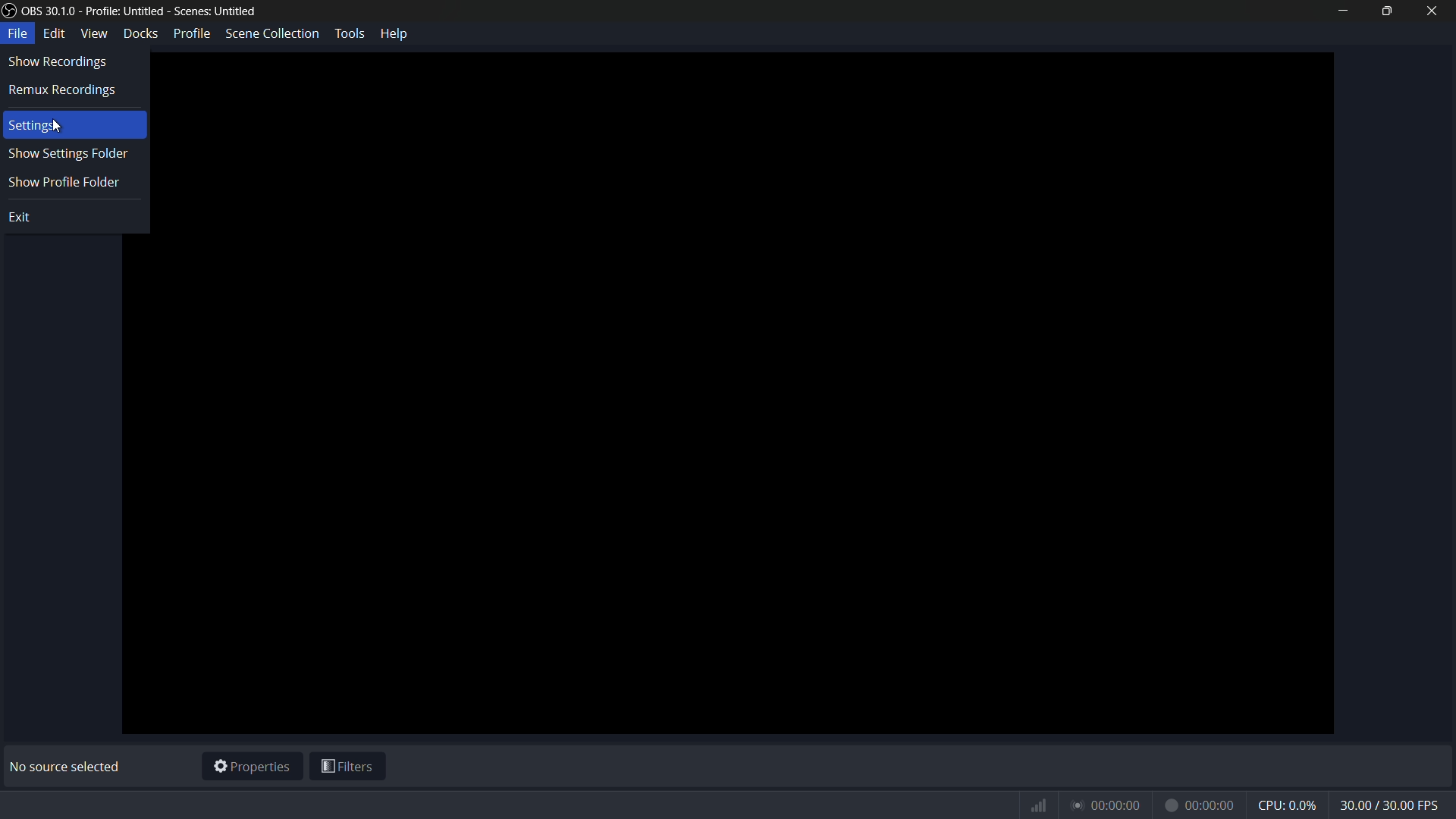  Describe the element at coordinates (271, 33) in the screenshot. I see `scene collection menu` at that location.